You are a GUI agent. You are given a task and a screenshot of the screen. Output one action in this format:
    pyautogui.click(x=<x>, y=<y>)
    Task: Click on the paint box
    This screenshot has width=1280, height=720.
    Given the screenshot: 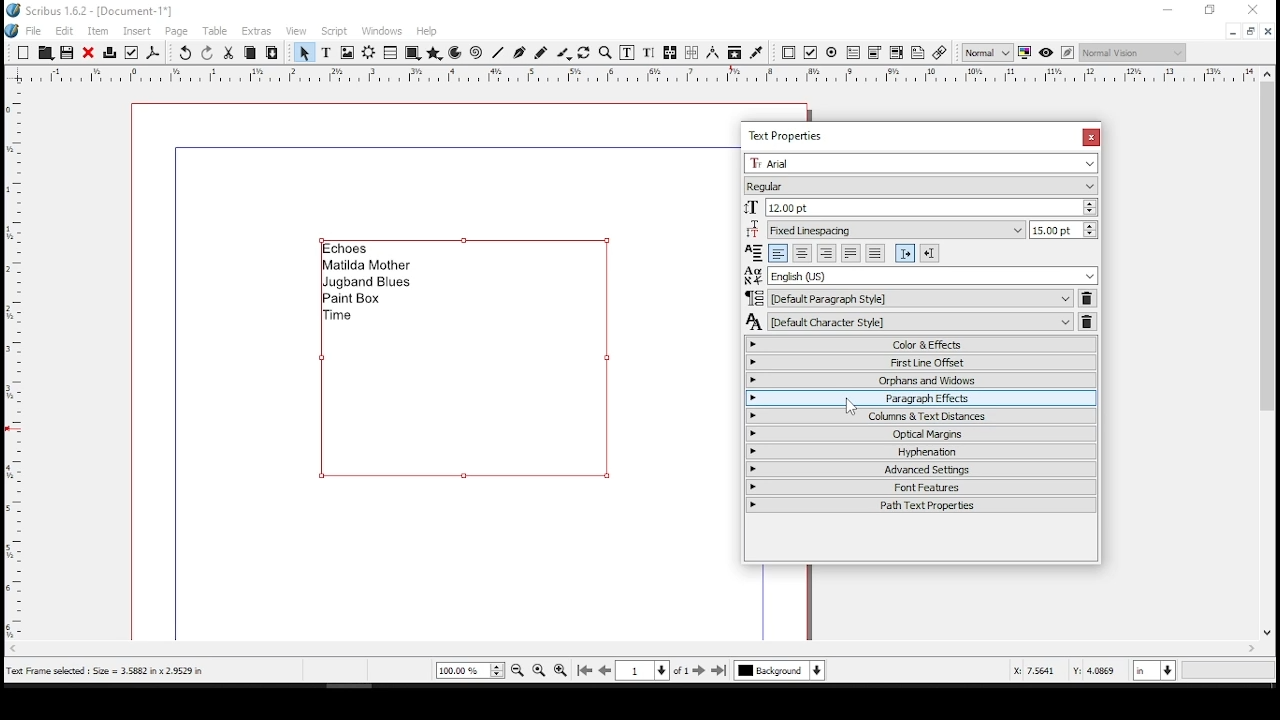 What is the action you would take?
    pyautogui.click(x=358, y=299)
    